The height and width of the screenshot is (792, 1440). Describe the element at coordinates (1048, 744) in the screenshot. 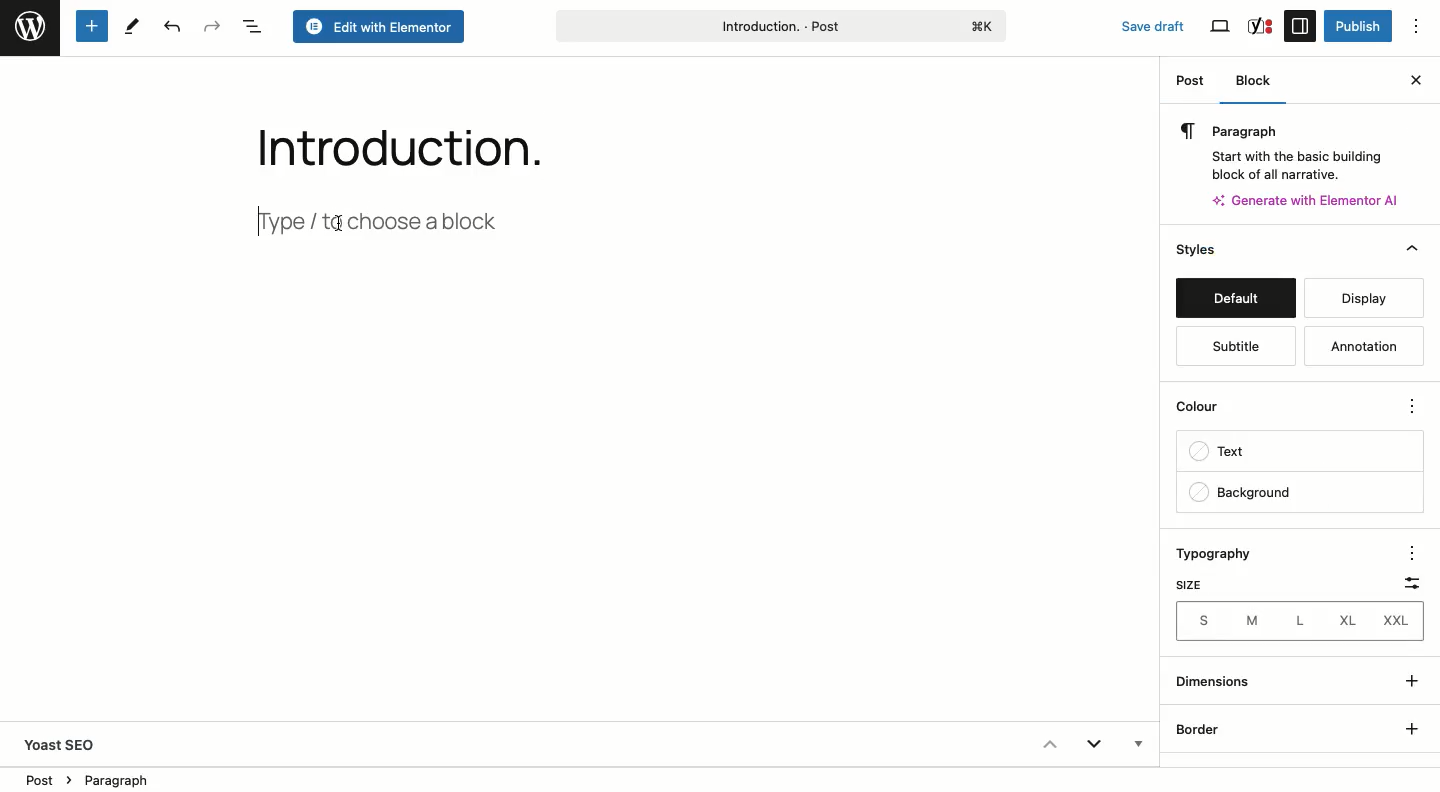

I see `Collapse` at that location.